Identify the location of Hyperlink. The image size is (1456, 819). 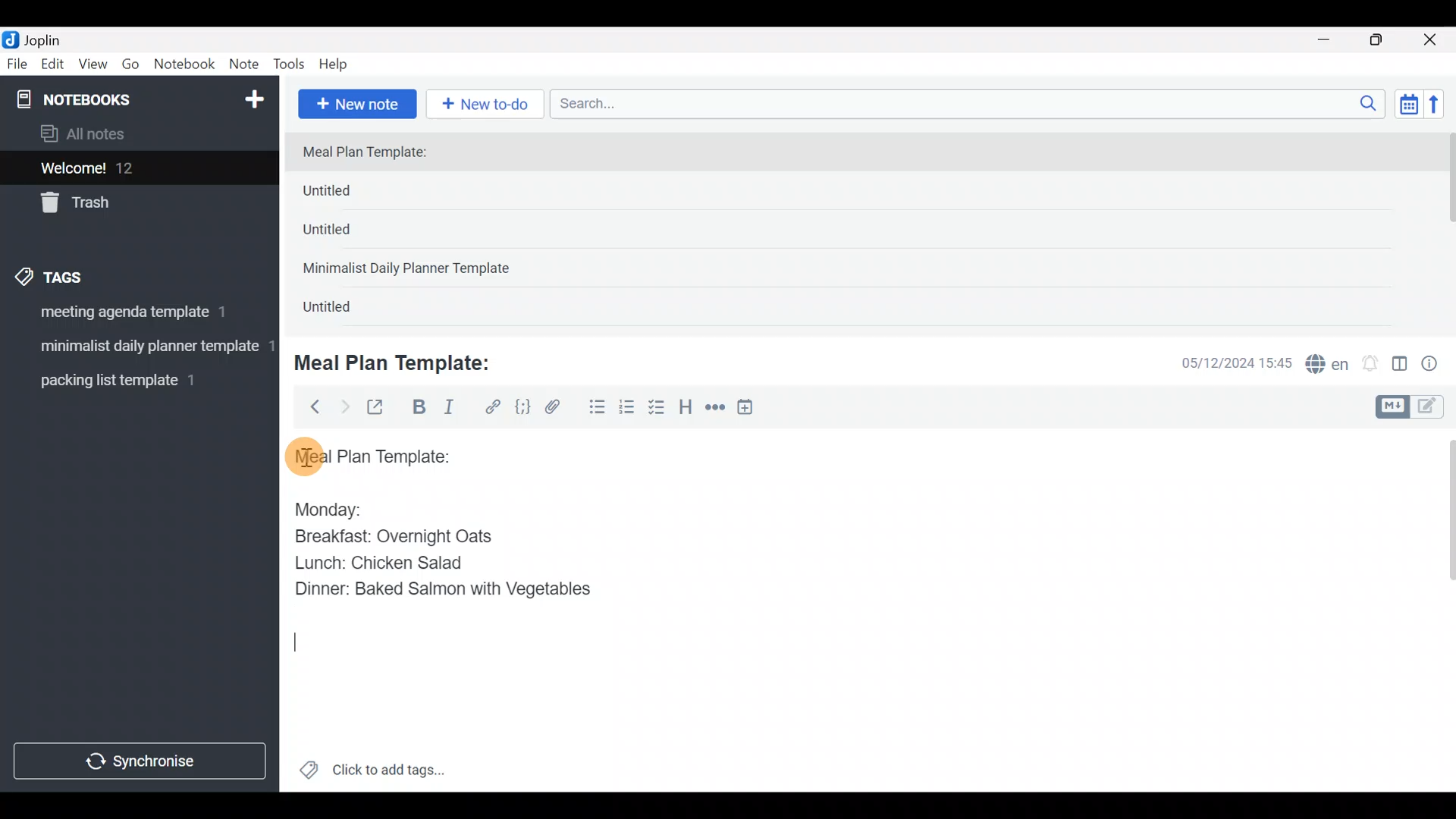
(493, 407).